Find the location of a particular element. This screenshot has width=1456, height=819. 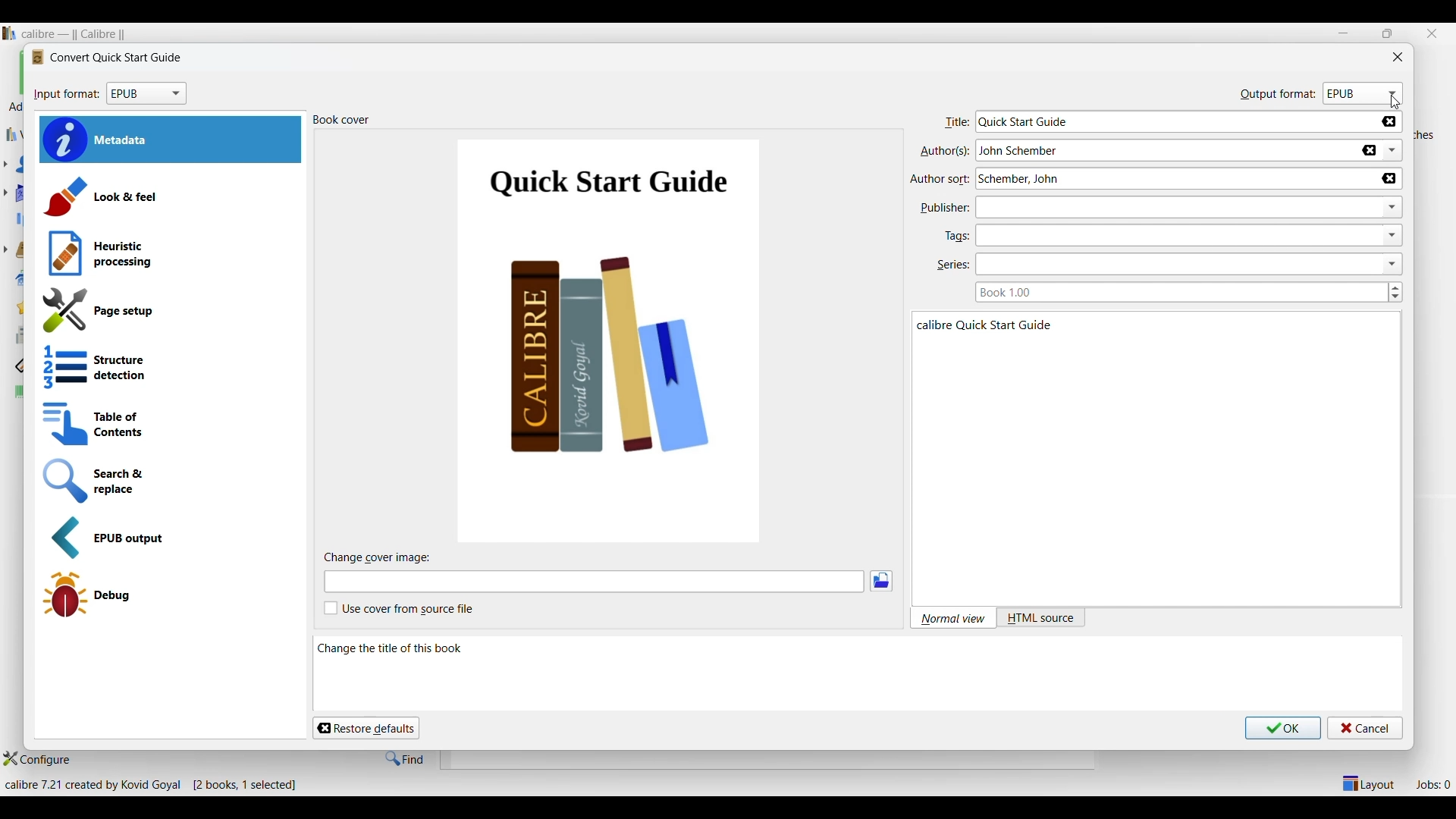

Format options is located at coordinates (1363, 94).